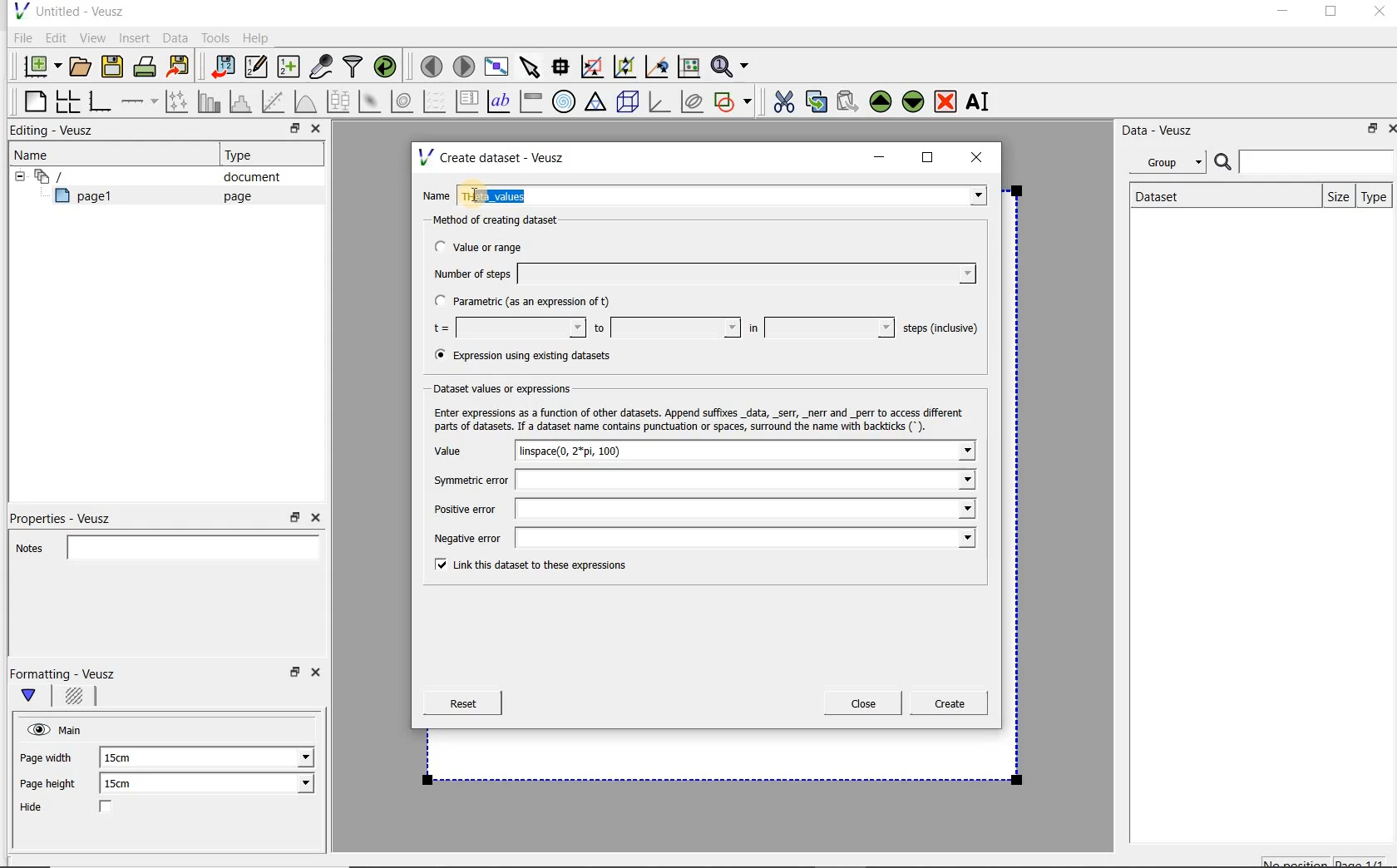  Describe the element at coordinates (65, 673) in the screenshot. I see `Formatting - Veusz` at that location.